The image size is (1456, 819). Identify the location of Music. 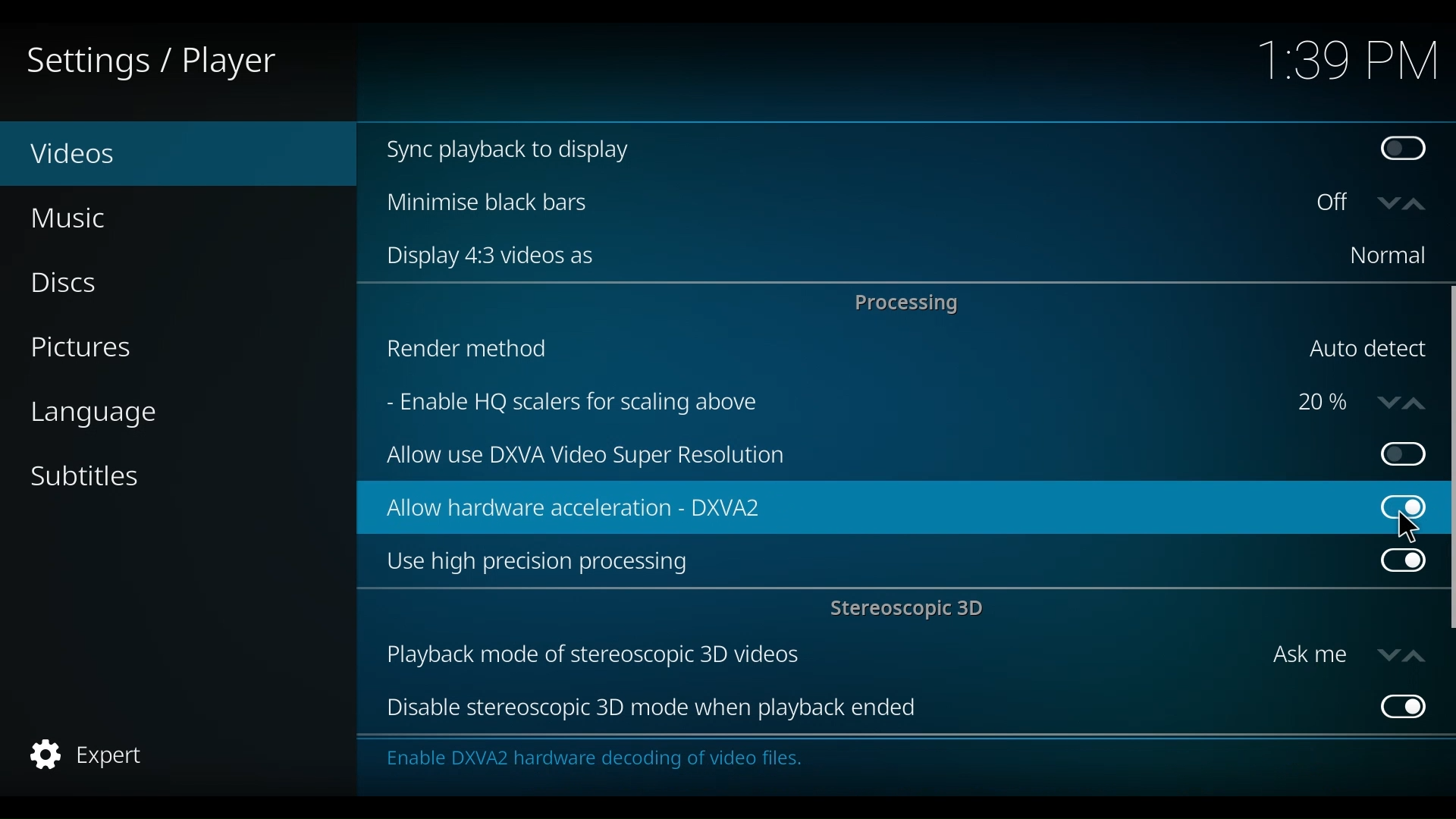
(72, 218).